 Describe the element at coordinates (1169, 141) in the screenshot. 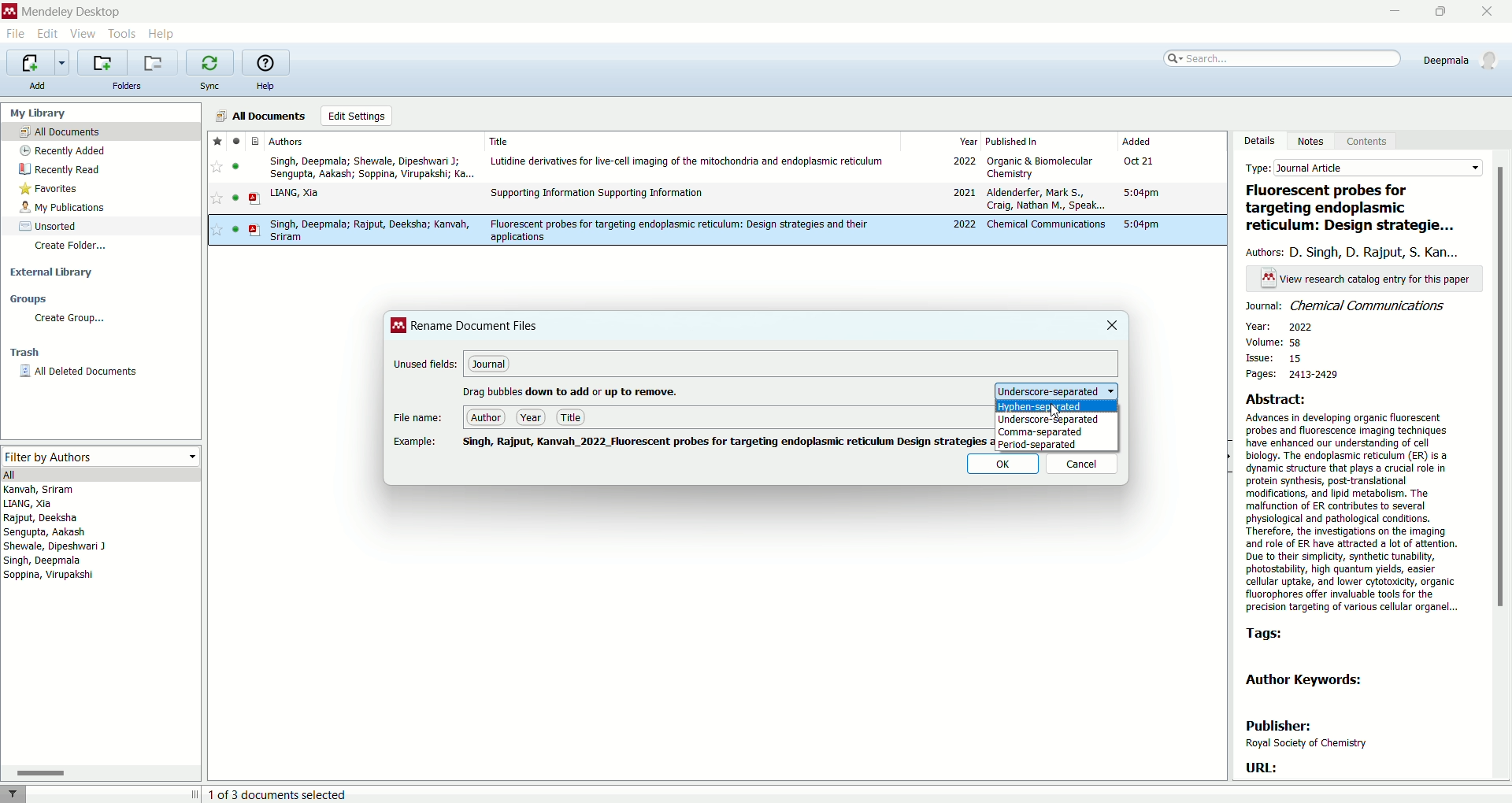

I see `added` at that location.